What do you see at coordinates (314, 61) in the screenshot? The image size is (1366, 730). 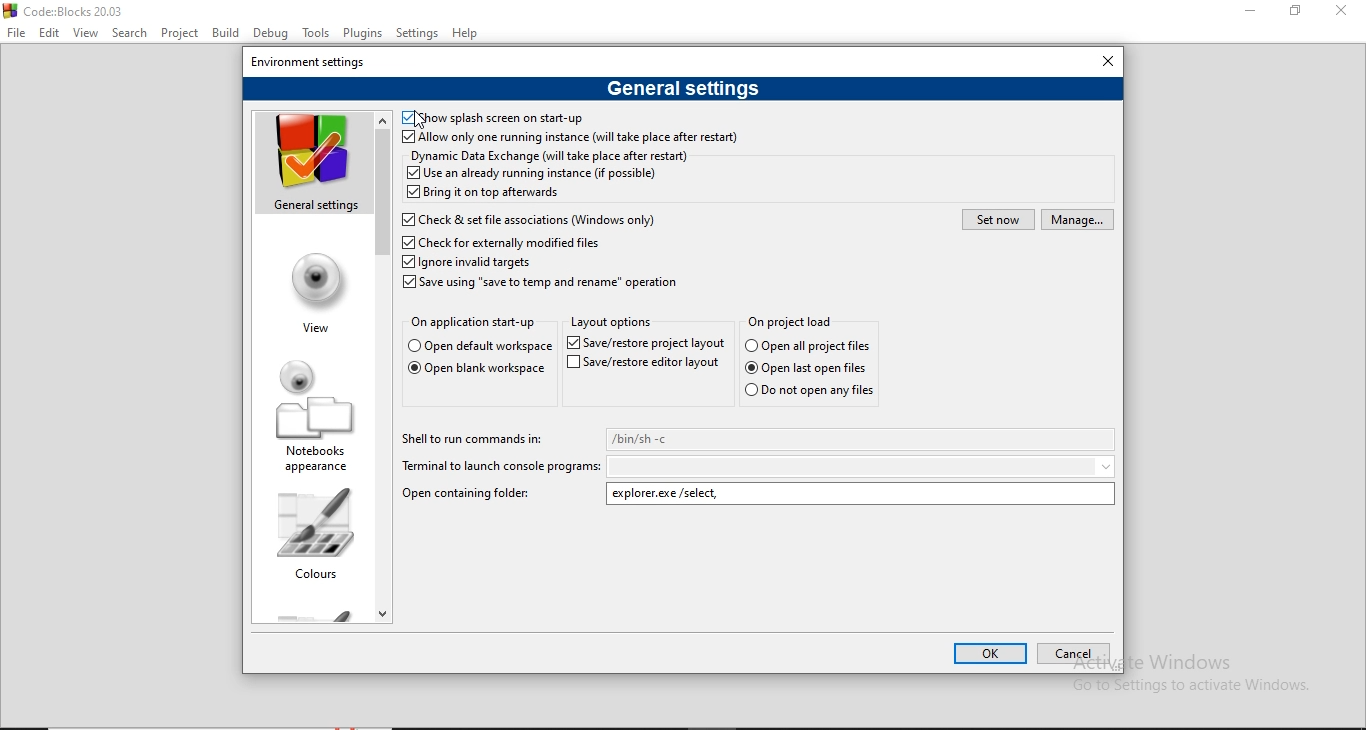 I see `Environment settings` at bounding box center [314, 61].